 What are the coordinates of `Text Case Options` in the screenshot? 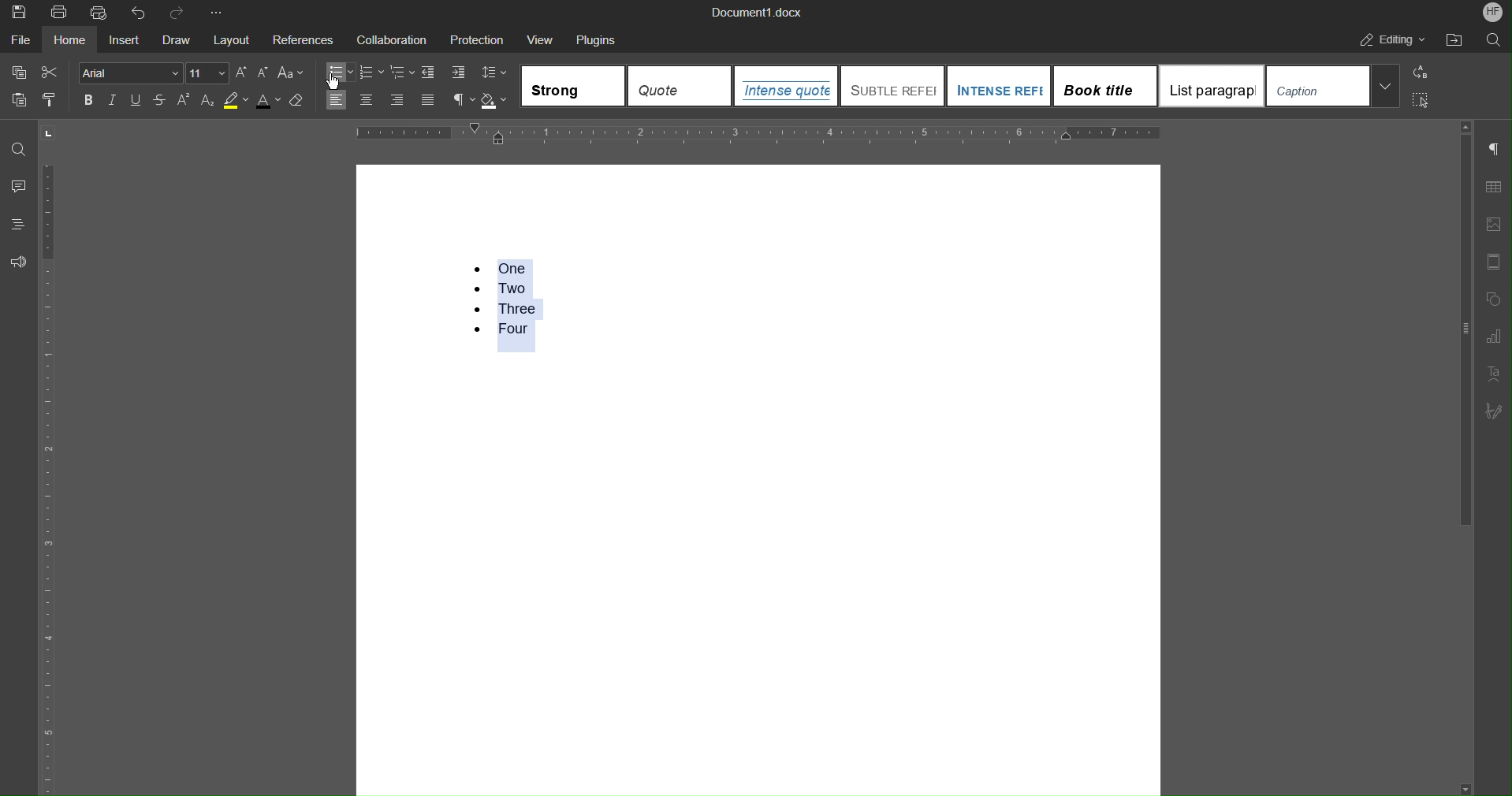 It's located at (290, 73).